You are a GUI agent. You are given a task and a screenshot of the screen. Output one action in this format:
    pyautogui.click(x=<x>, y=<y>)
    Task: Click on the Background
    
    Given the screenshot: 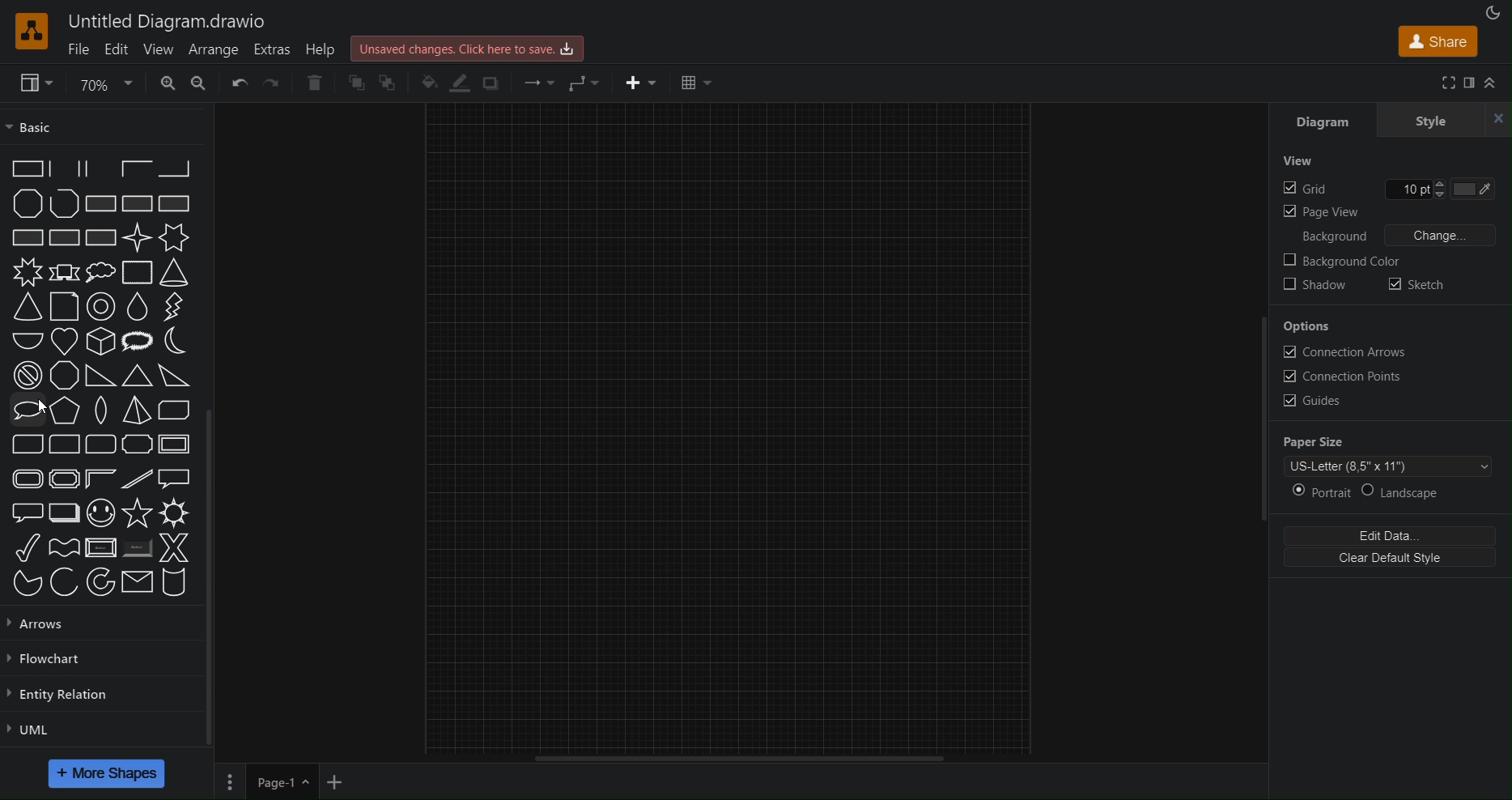 What is the action you would take?
    pyautogui.click(x=1333, y=237)
    